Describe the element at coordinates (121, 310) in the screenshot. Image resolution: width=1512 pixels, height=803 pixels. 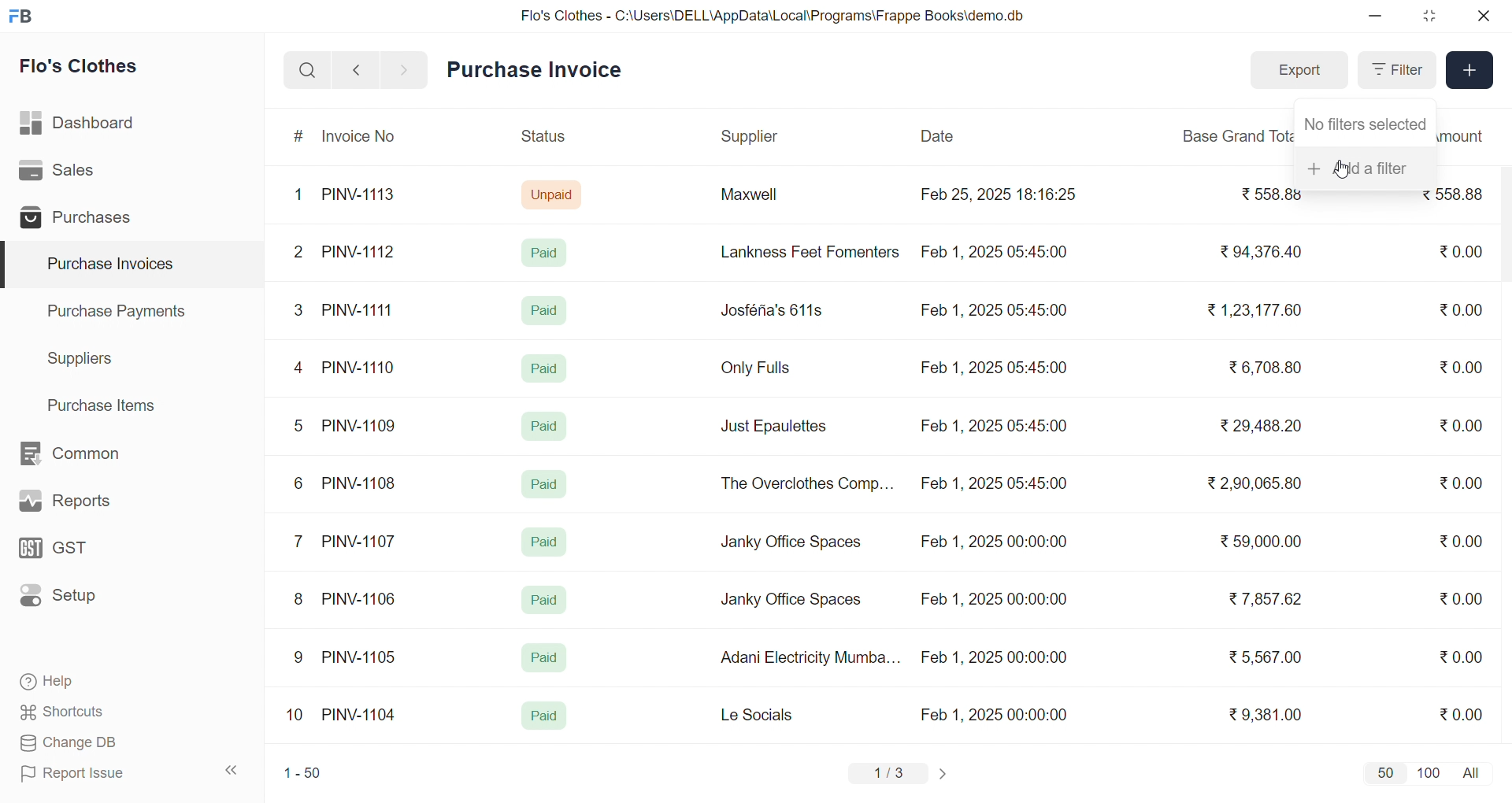
I see `Purchase Payments` at that location.